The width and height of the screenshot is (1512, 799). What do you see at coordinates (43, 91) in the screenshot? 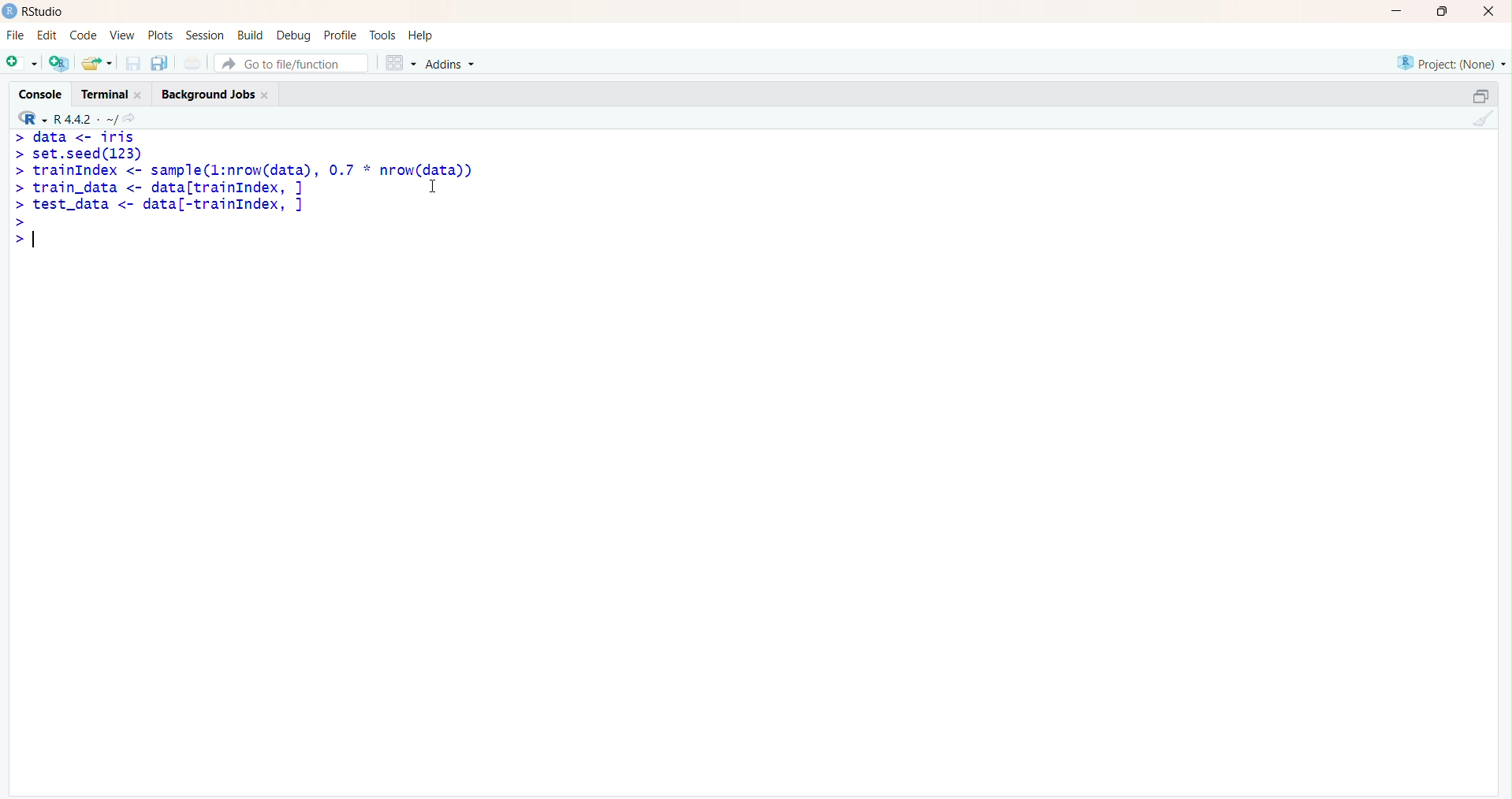
I see `Console` at bounding box center [43, 91].